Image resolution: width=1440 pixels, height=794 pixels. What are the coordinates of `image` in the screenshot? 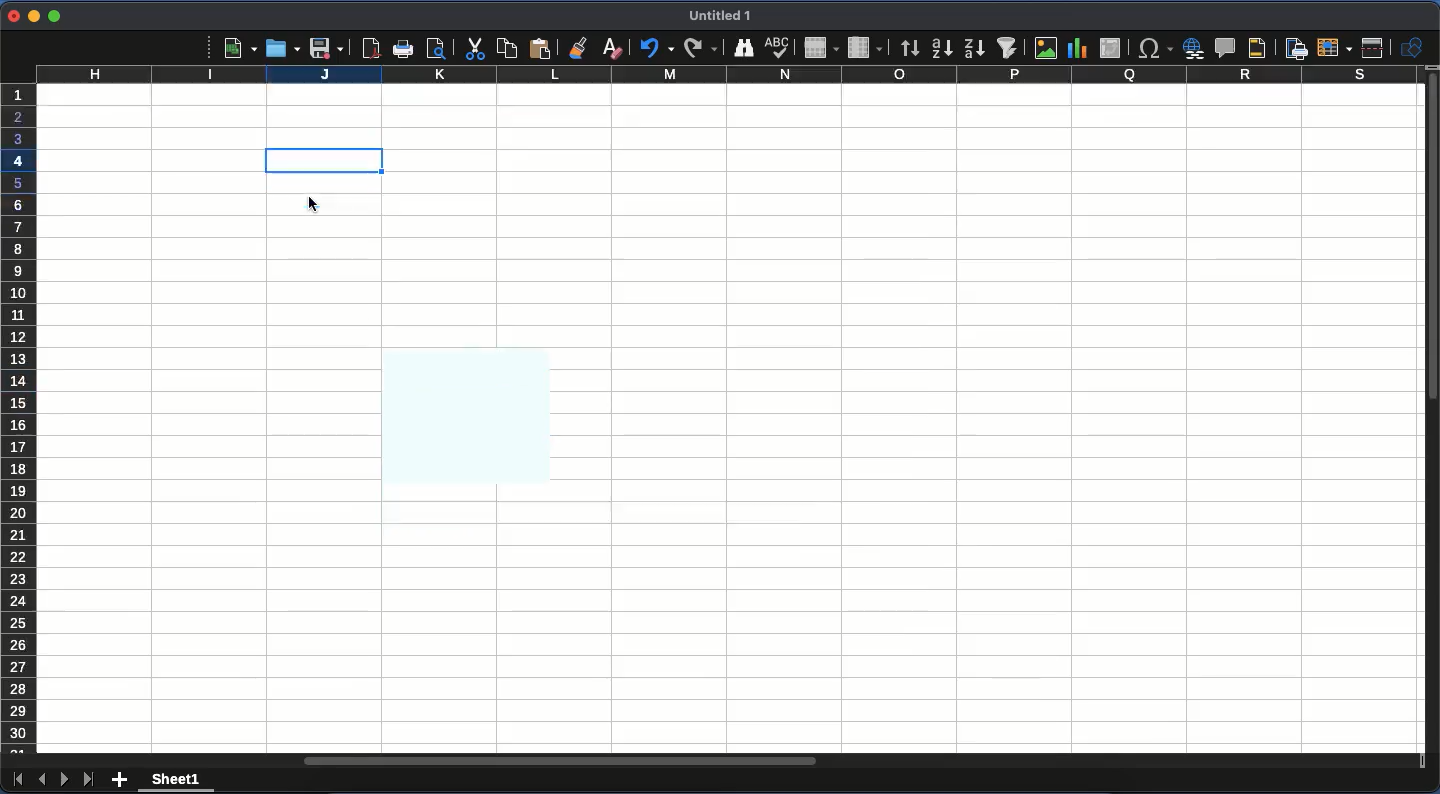 It's located at (1048, 48).